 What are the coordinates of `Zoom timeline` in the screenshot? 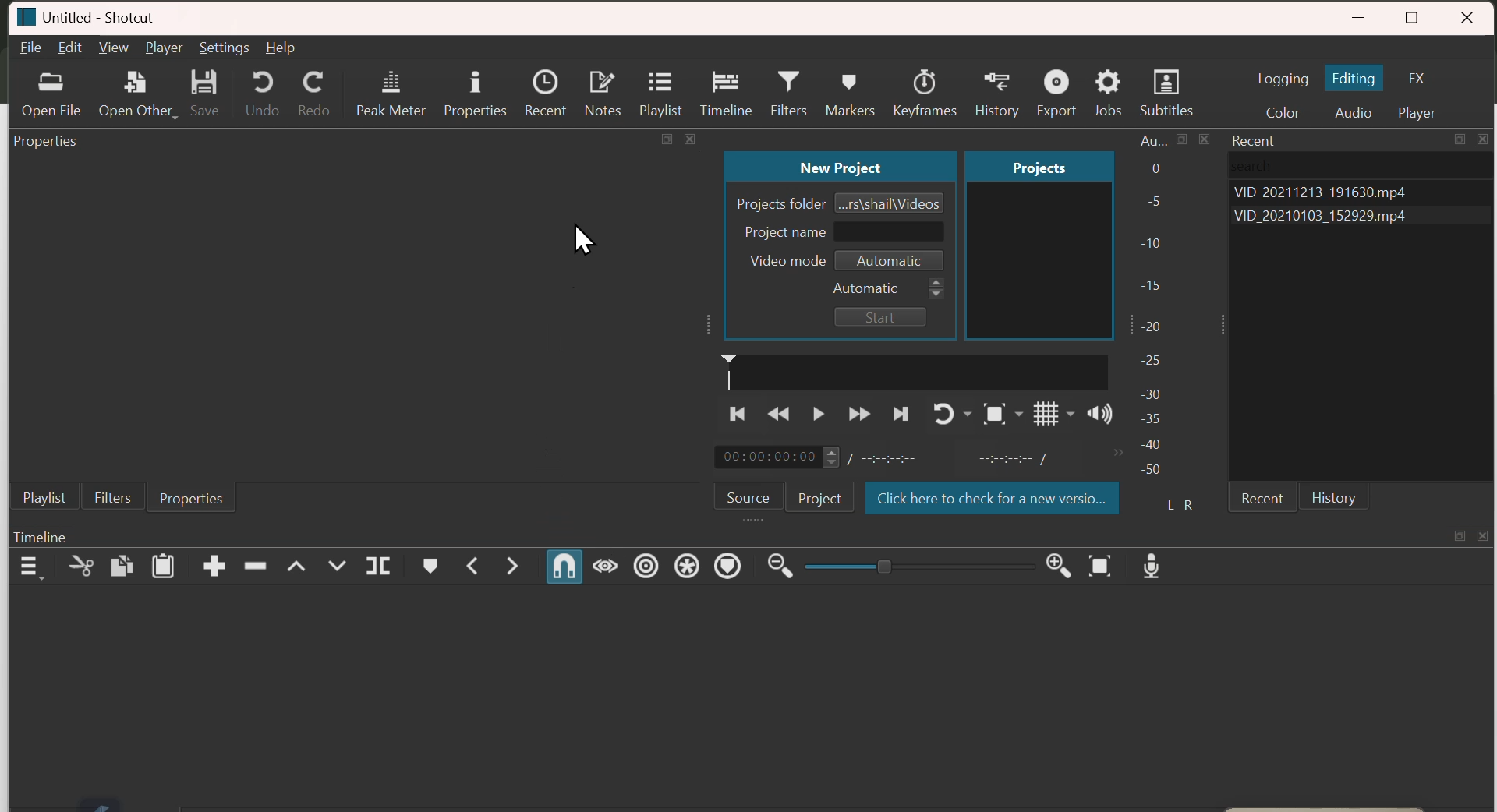 It's located at (1101, 566).